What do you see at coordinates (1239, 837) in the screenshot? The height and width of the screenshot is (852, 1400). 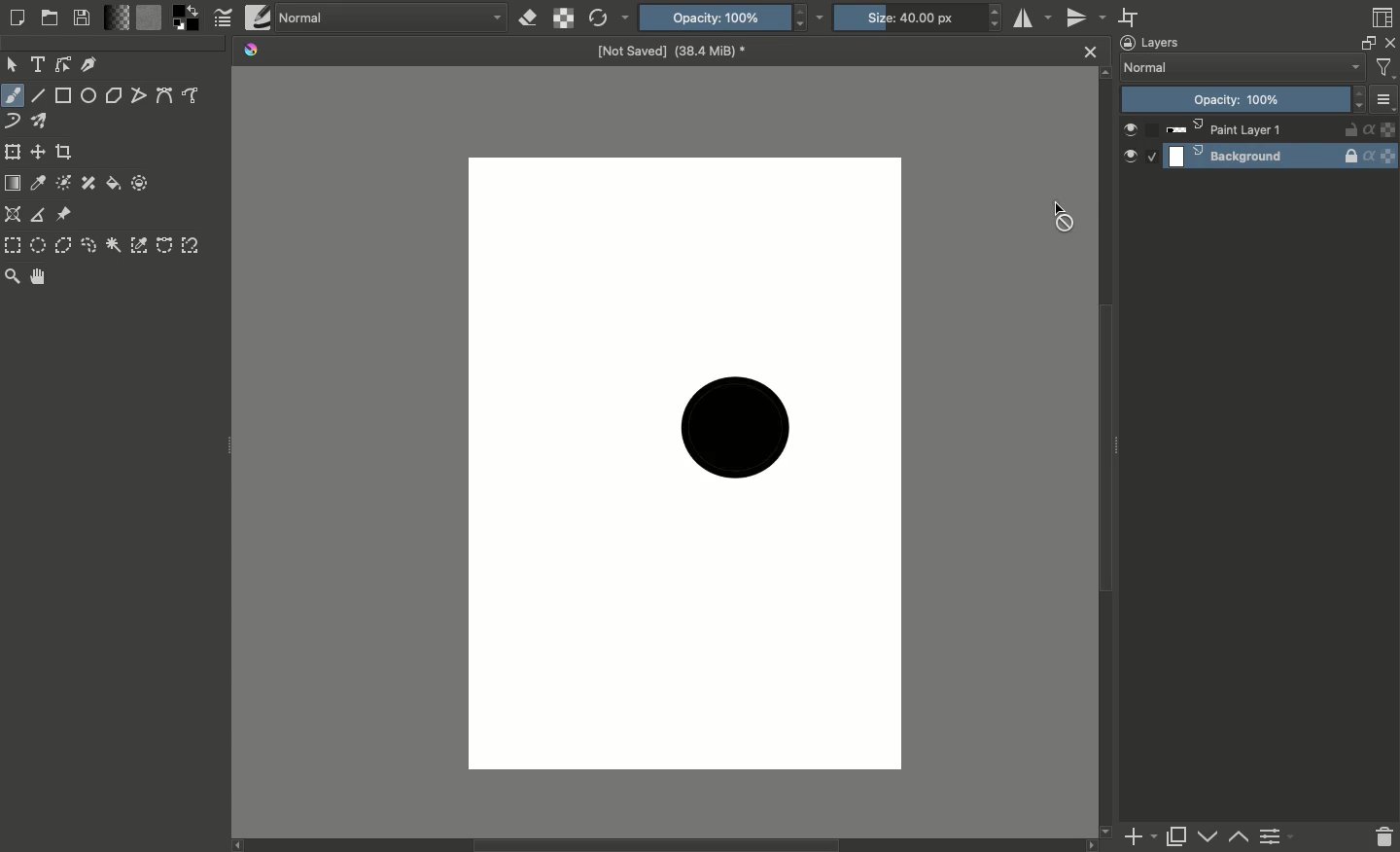 I see `Lower layer` at bounding box center [1239, 837].